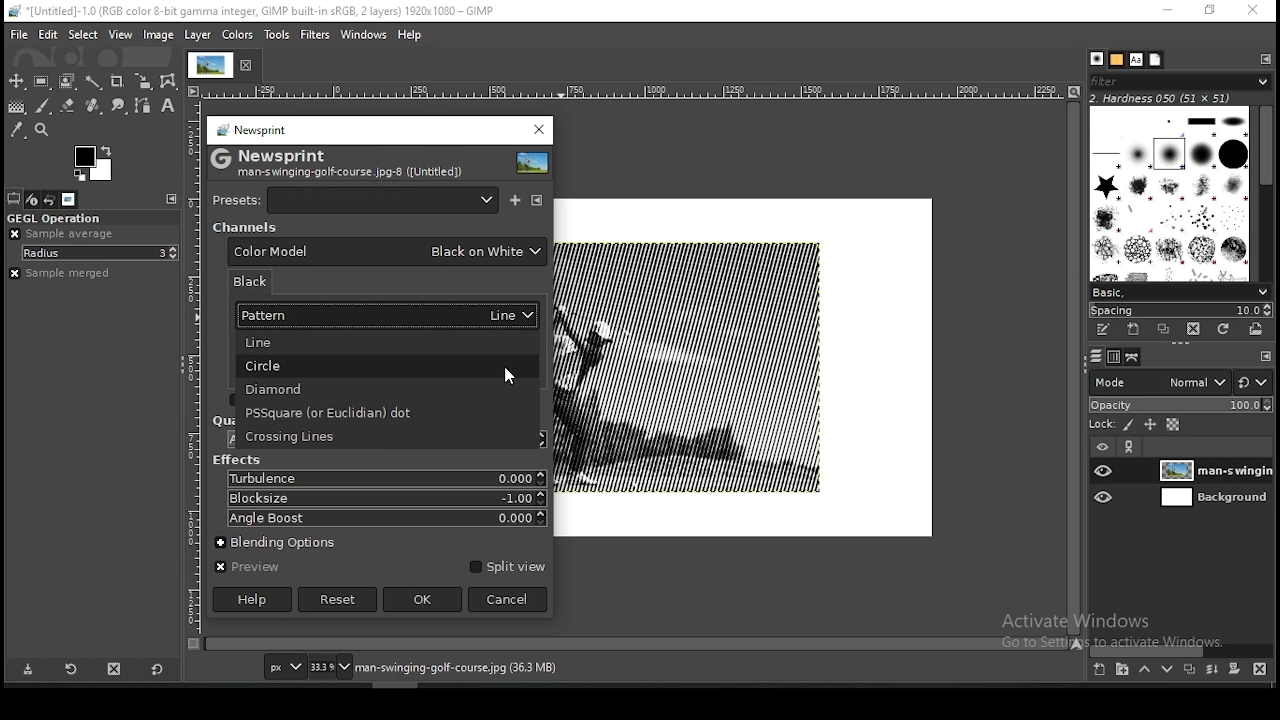 Image resolution: width=1280 pixels, height=720 pixels. I want to click on edit this brush, so click(1104, 331).